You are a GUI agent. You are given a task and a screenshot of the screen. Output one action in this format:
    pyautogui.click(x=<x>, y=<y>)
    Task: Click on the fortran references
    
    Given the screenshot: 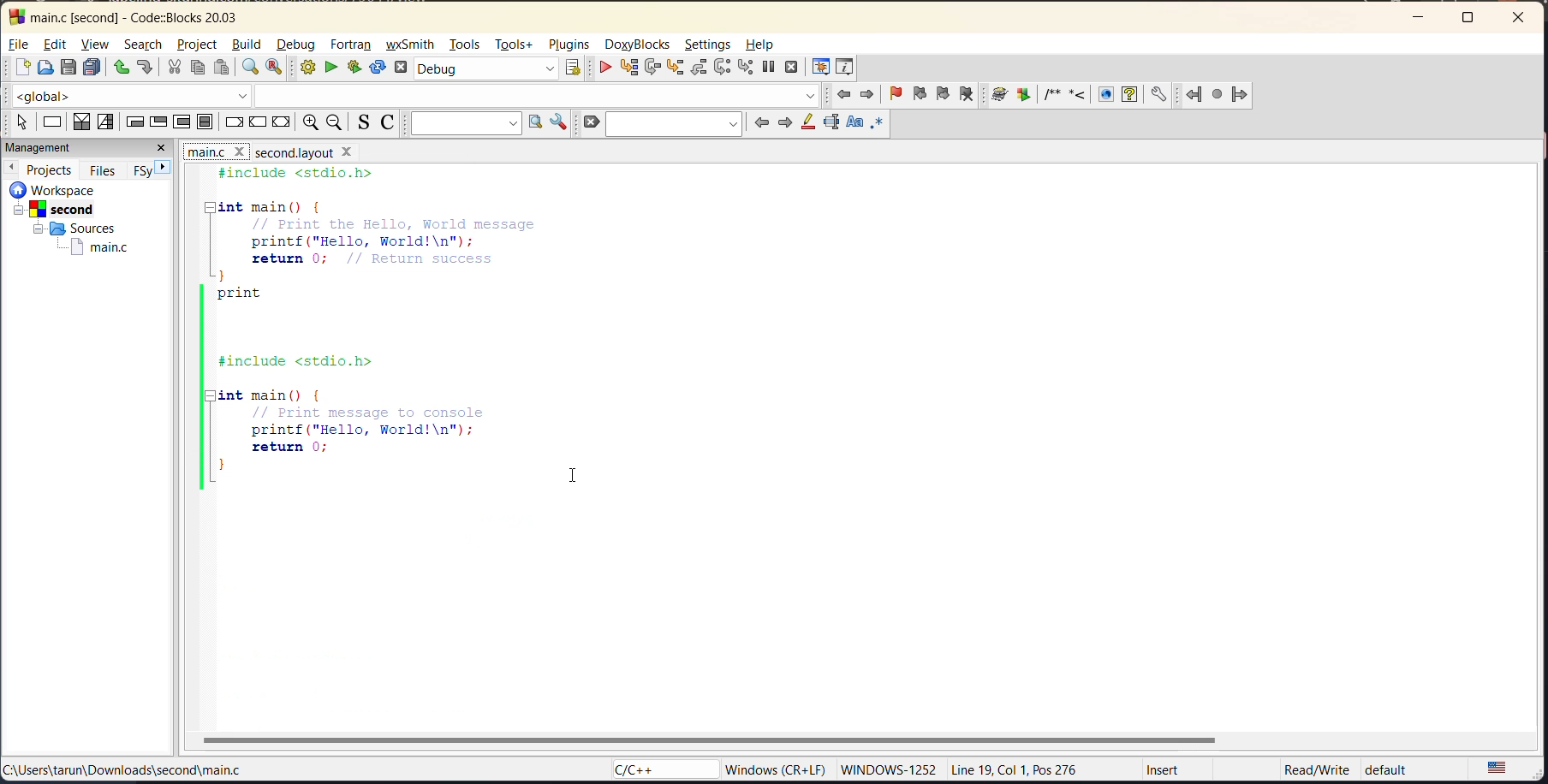 What is the action you would take?
    pyautogui.click(x=1218, y=96)
    